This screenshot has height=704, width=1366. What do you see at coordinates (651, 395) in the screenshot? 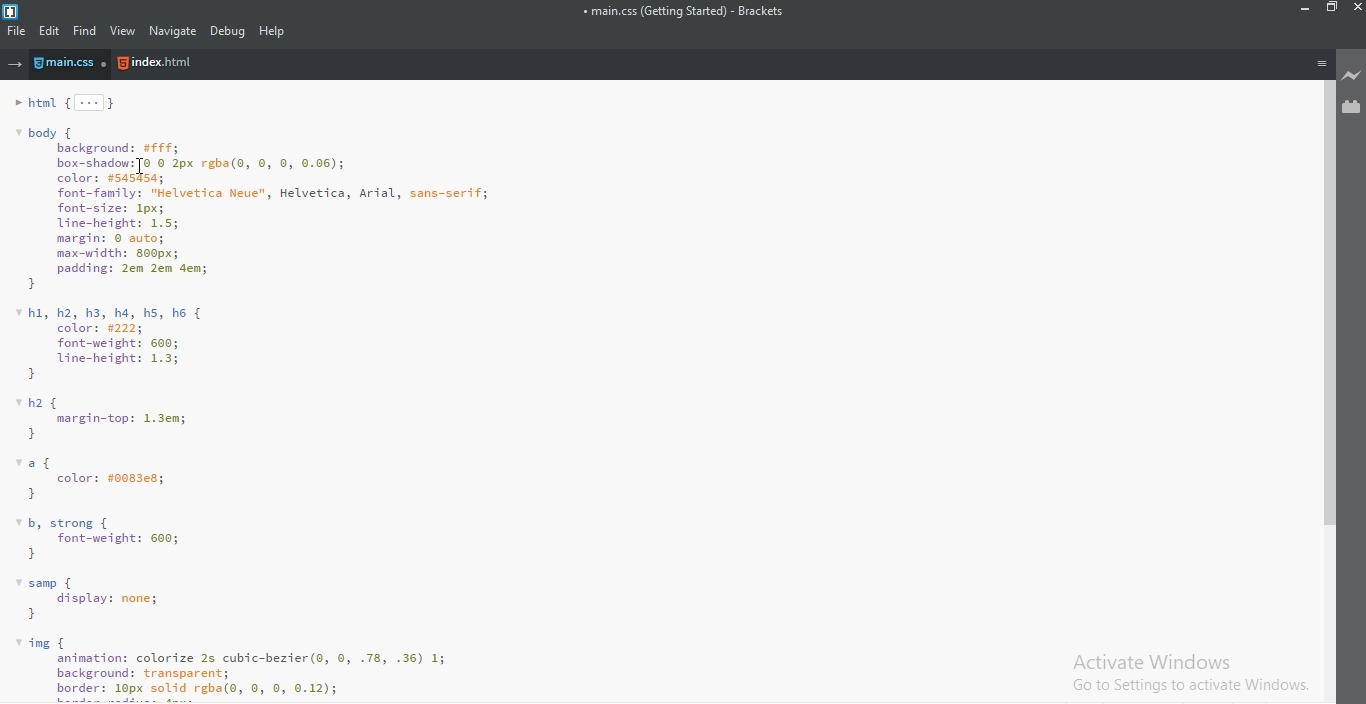
I see `code` at bounding box center [651, 395].